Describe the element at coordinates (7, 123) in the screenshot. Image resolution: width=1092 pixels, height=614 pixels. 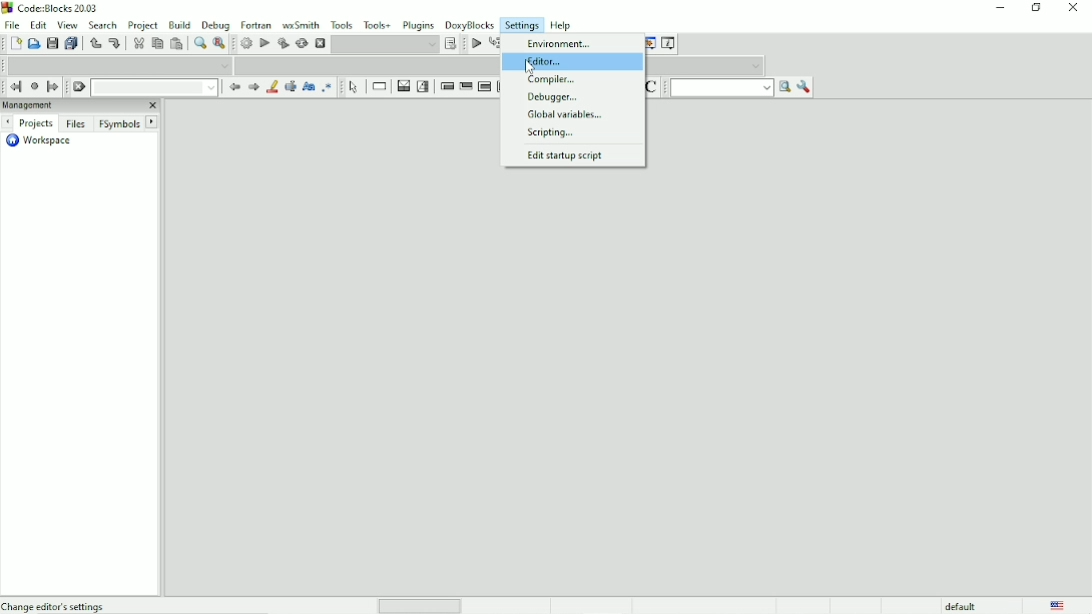
I see `Next` at that location.